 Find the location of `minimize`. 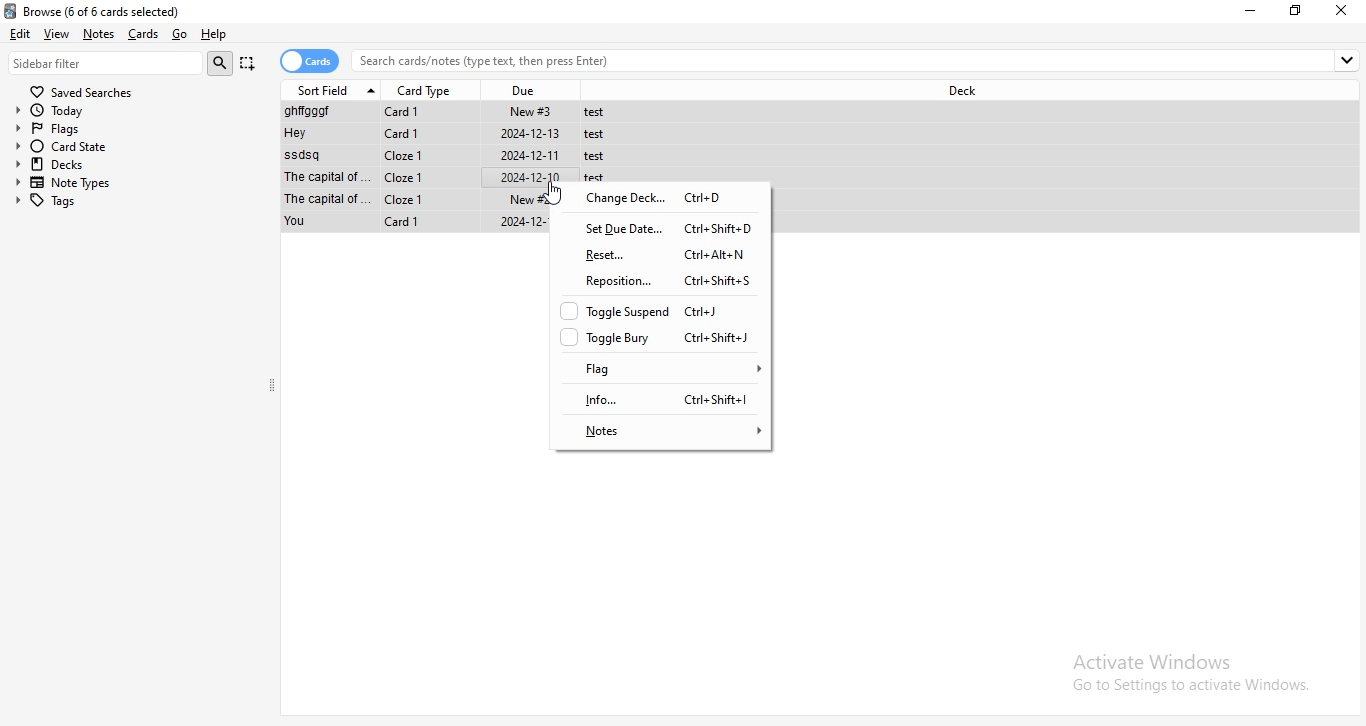

minimize is located at coordinates (1252, 10).